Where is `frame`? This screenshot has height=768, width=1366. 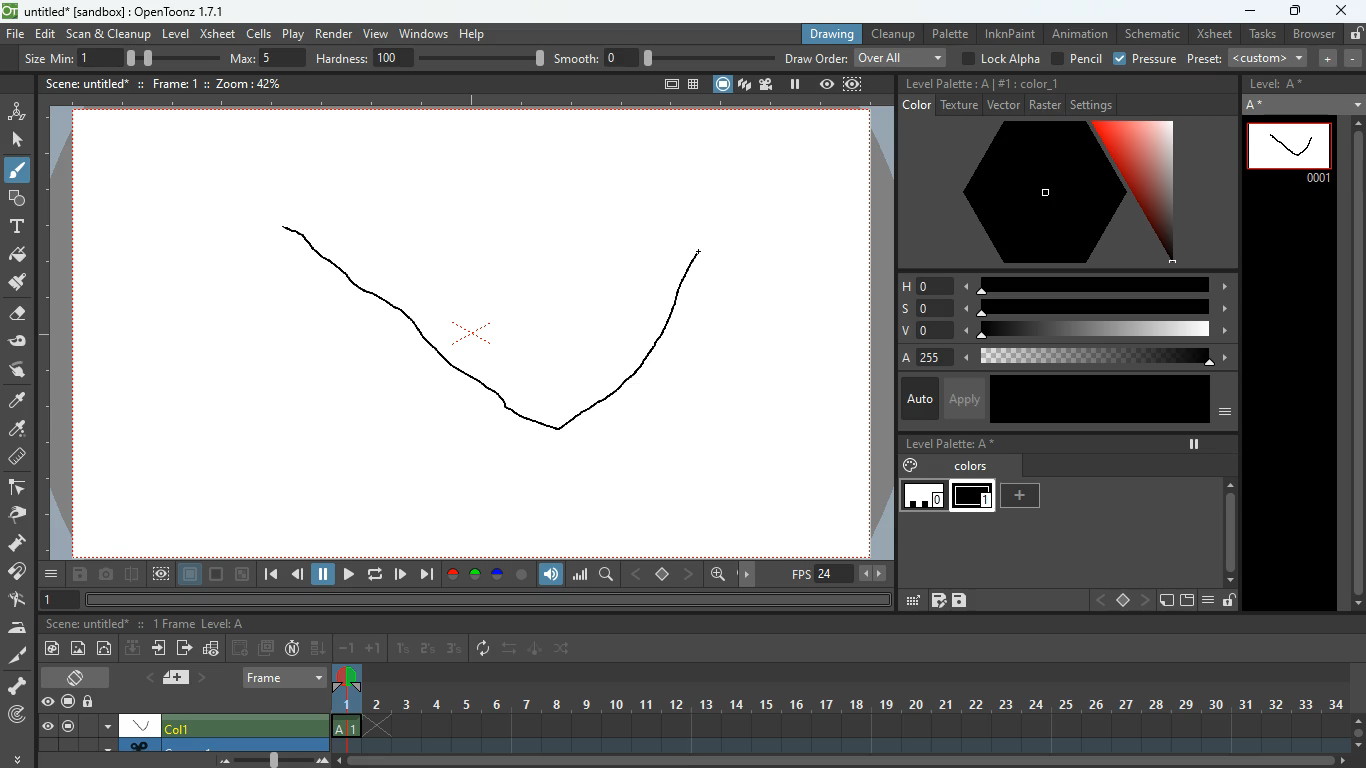
frame is located at coordinates (854, 84).